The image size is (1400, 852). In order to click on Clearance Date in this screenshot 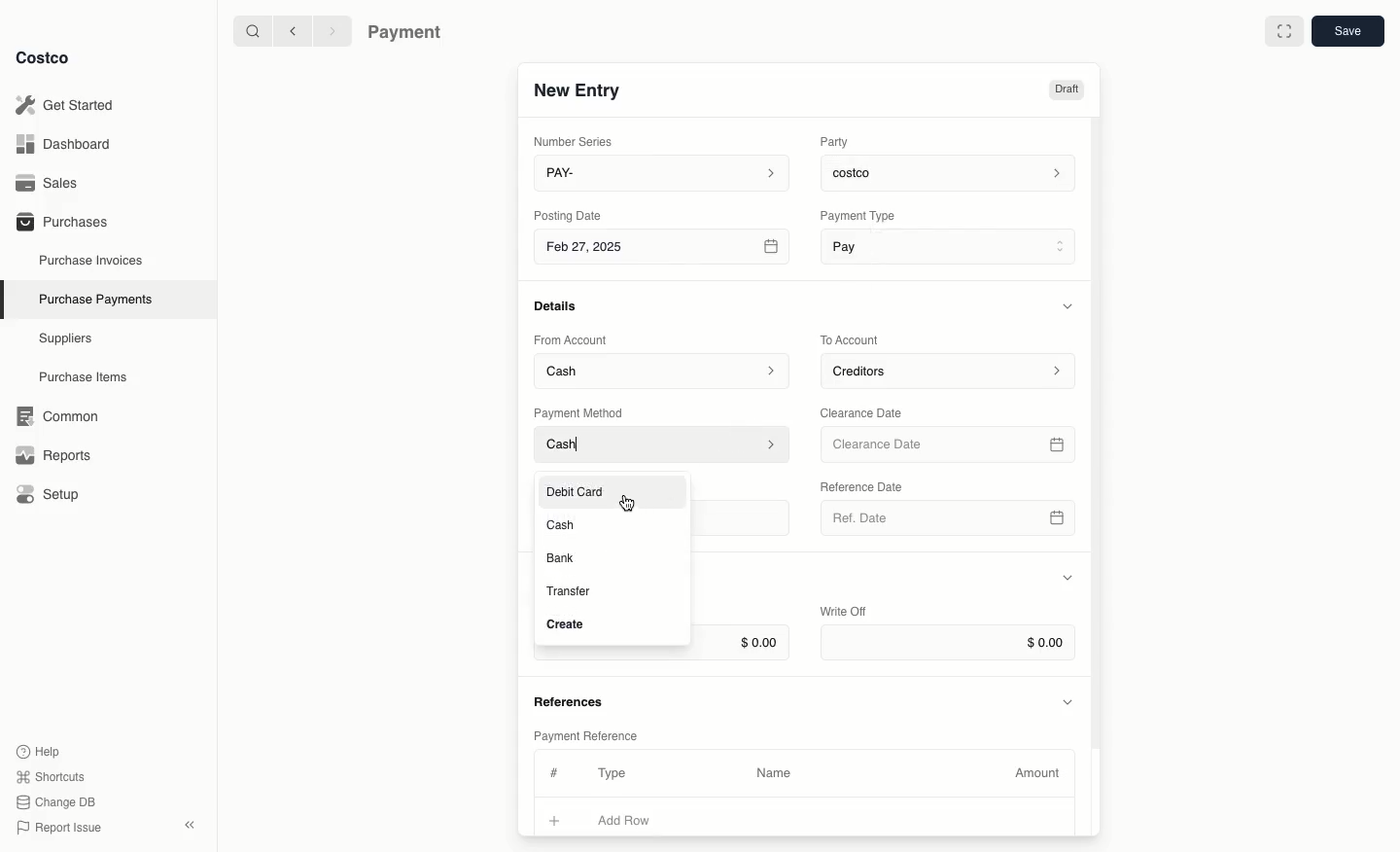, I will do `click(868, 411)`.